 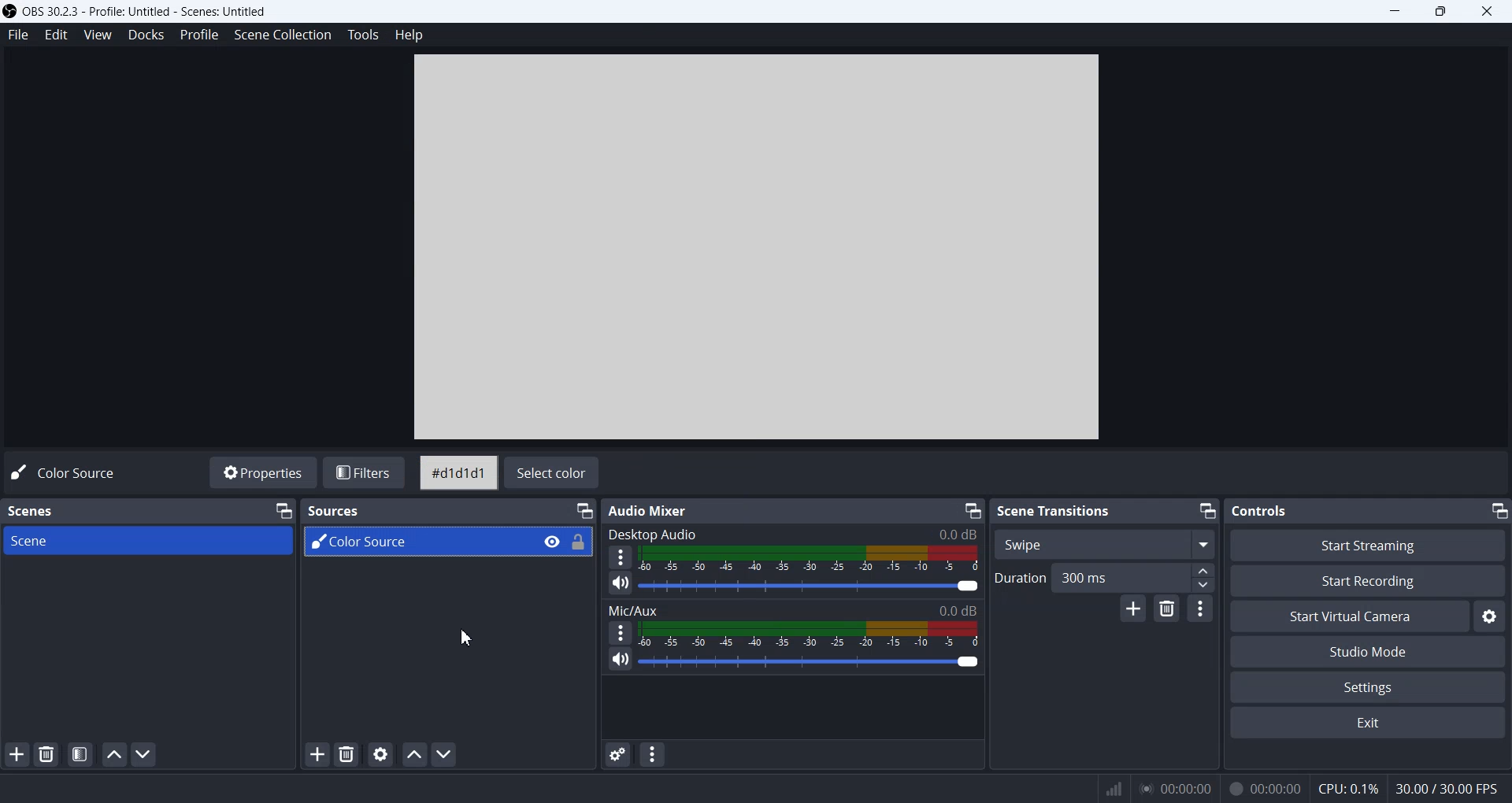 What do you see at coordinates (97, 34) in the screenshot?
I see `View` at bounding box center [97, 34].